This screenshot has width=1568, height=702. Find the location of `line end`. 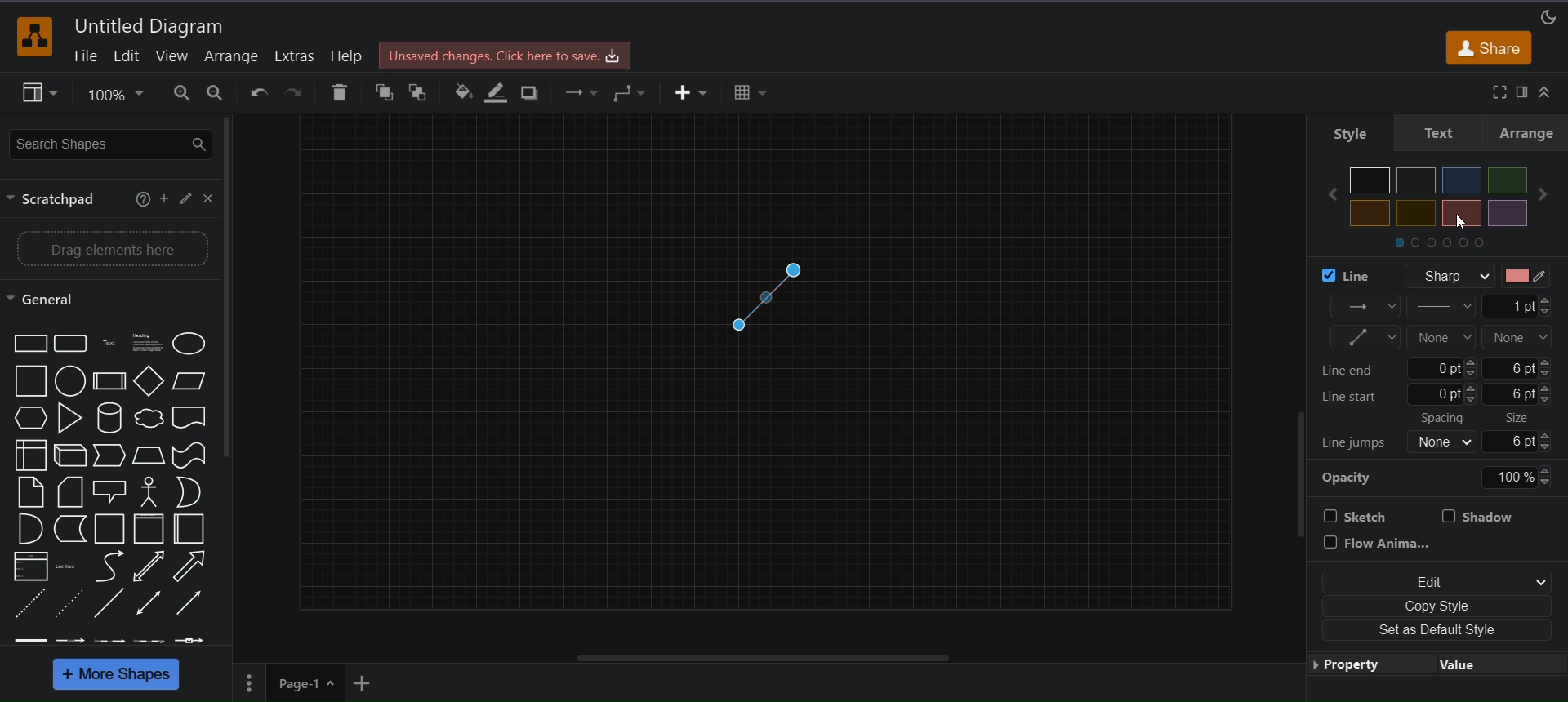

line end is located at coordinates (1441, 370).